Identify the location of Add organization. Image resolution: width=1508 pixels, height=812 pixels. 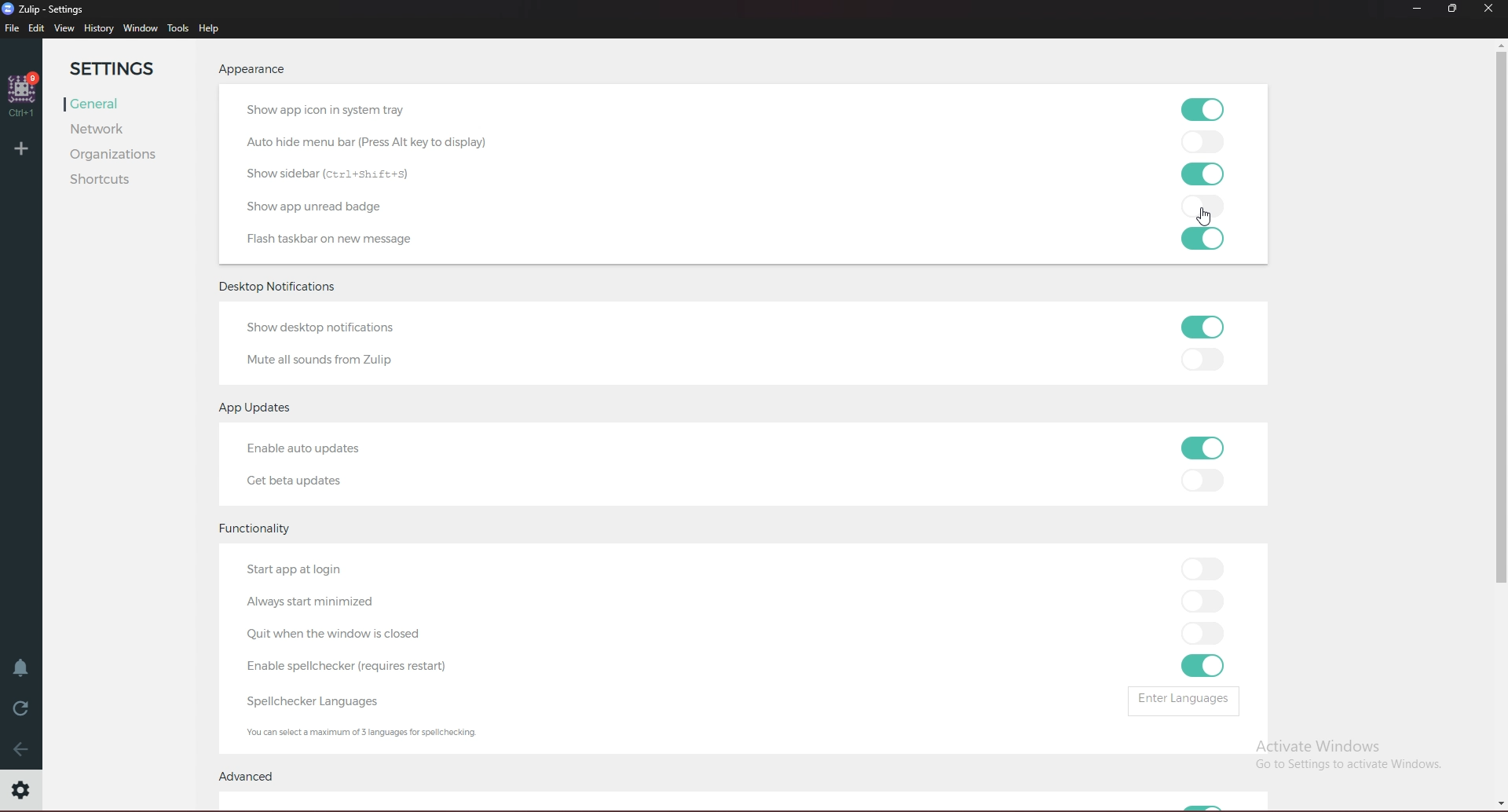
(21, 148).